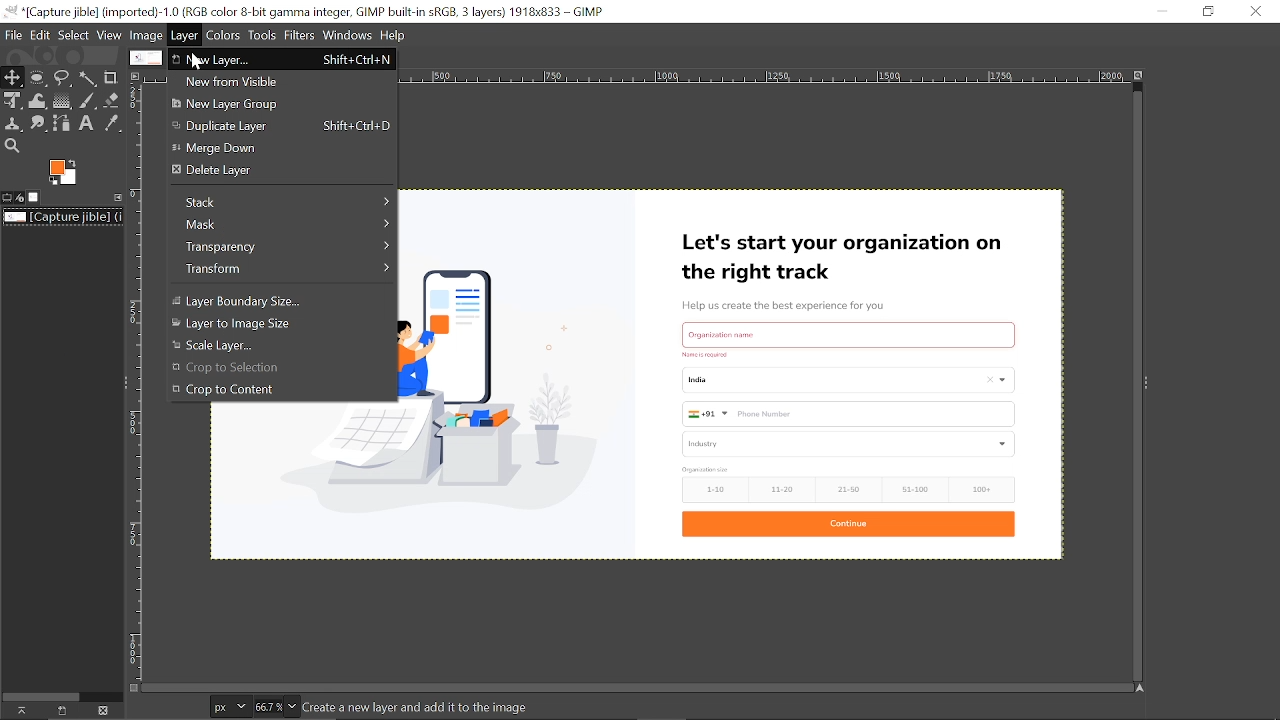 The width and height of the screenshot is (1280, 720). What do you see at coordinates (349, 34) in the screenshot?
I see `Windows` at bounding box center [349, 34].